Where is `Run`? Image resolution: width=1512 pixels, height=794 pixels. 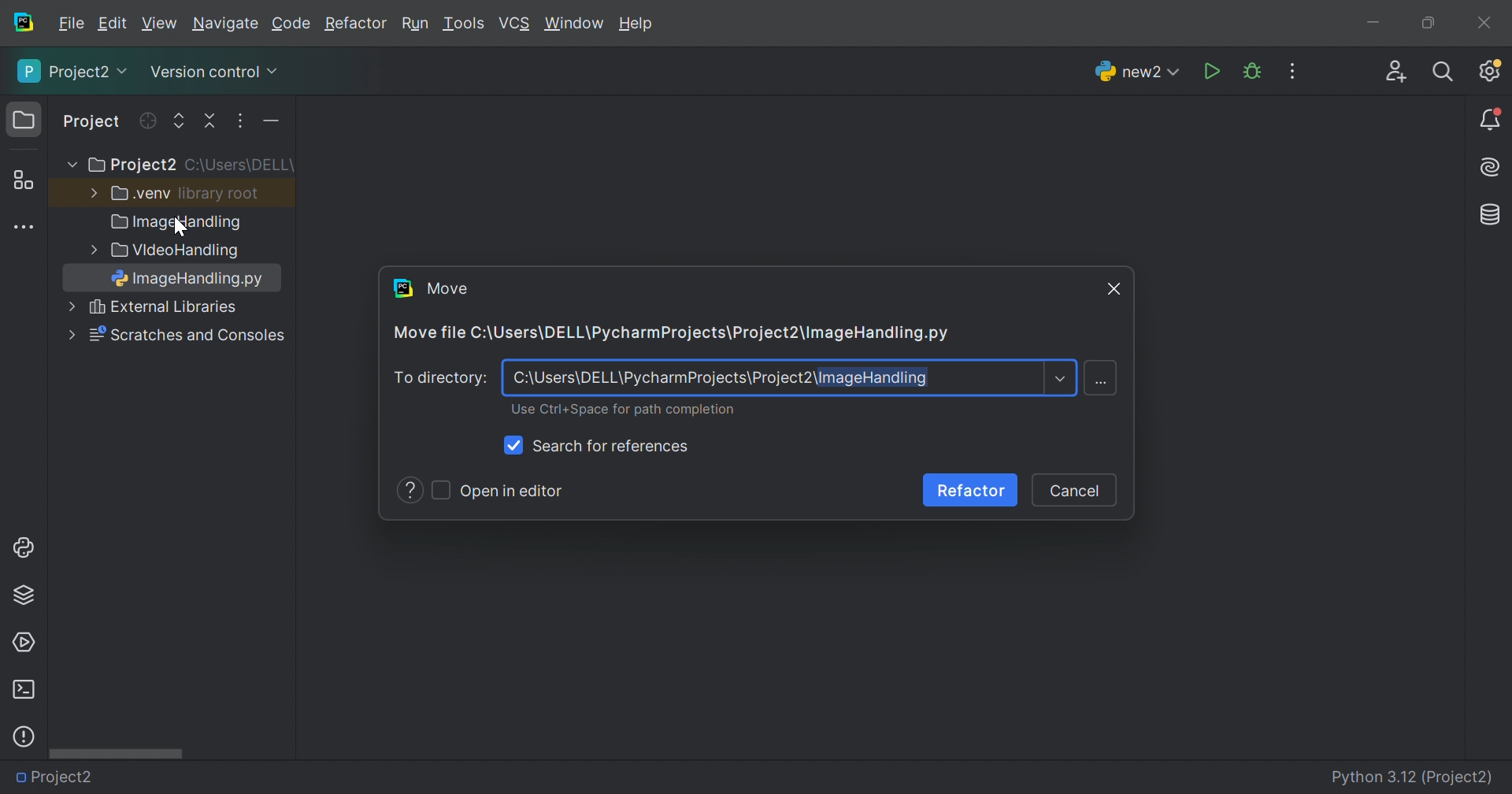 Run is located at coordinates (415, 25).